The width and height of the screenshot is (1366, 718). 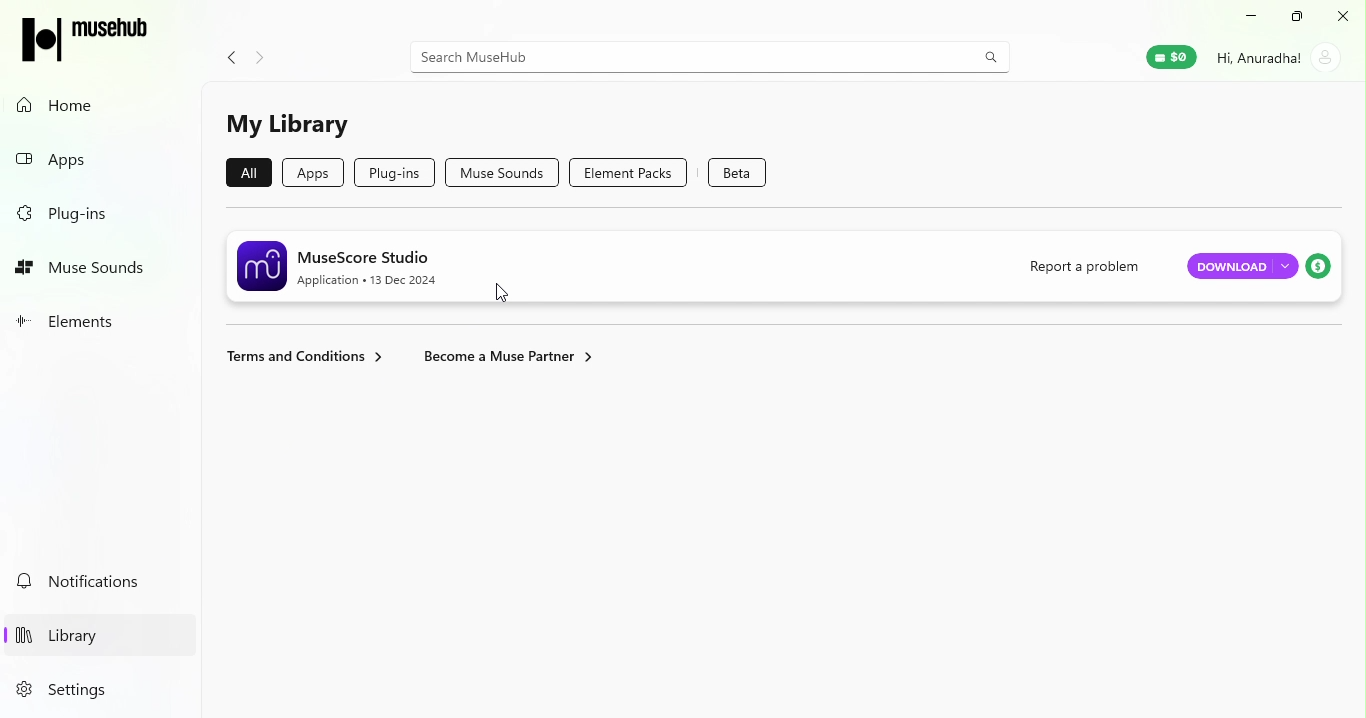 What do you see at coordinates (1285, 265) in the screenshot?
I see `Drop down` at bounding box center [1285, 265].